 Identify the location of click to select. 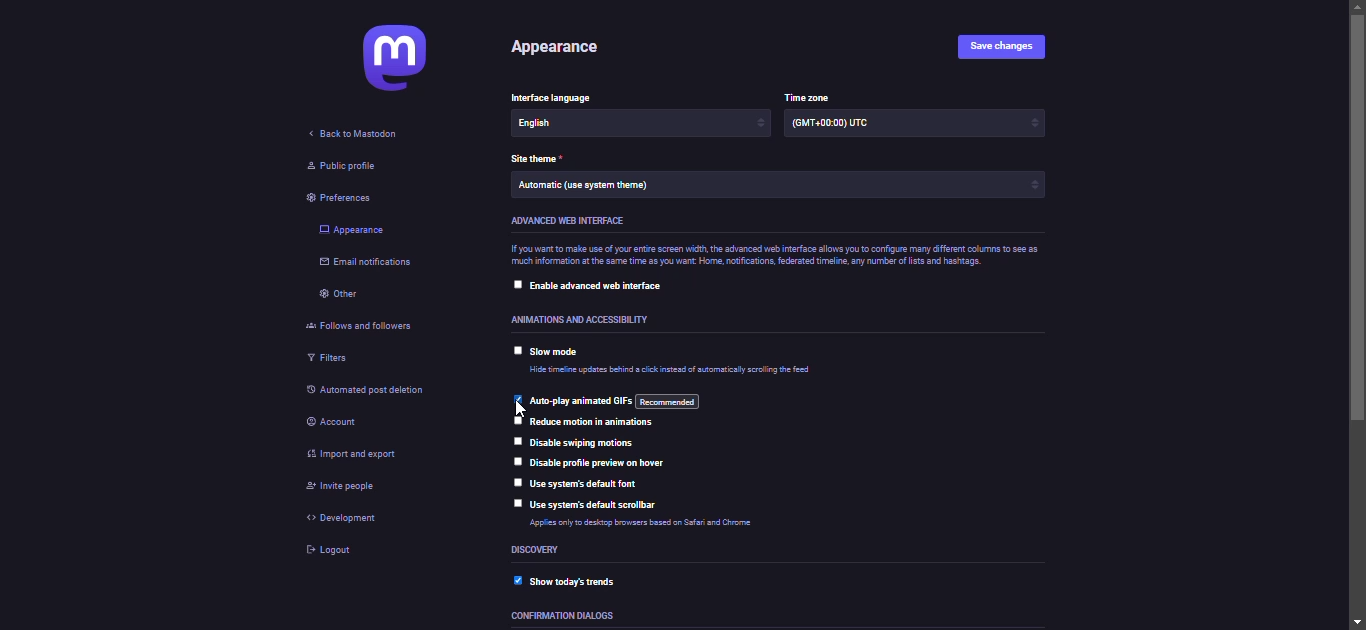
(515, 438).